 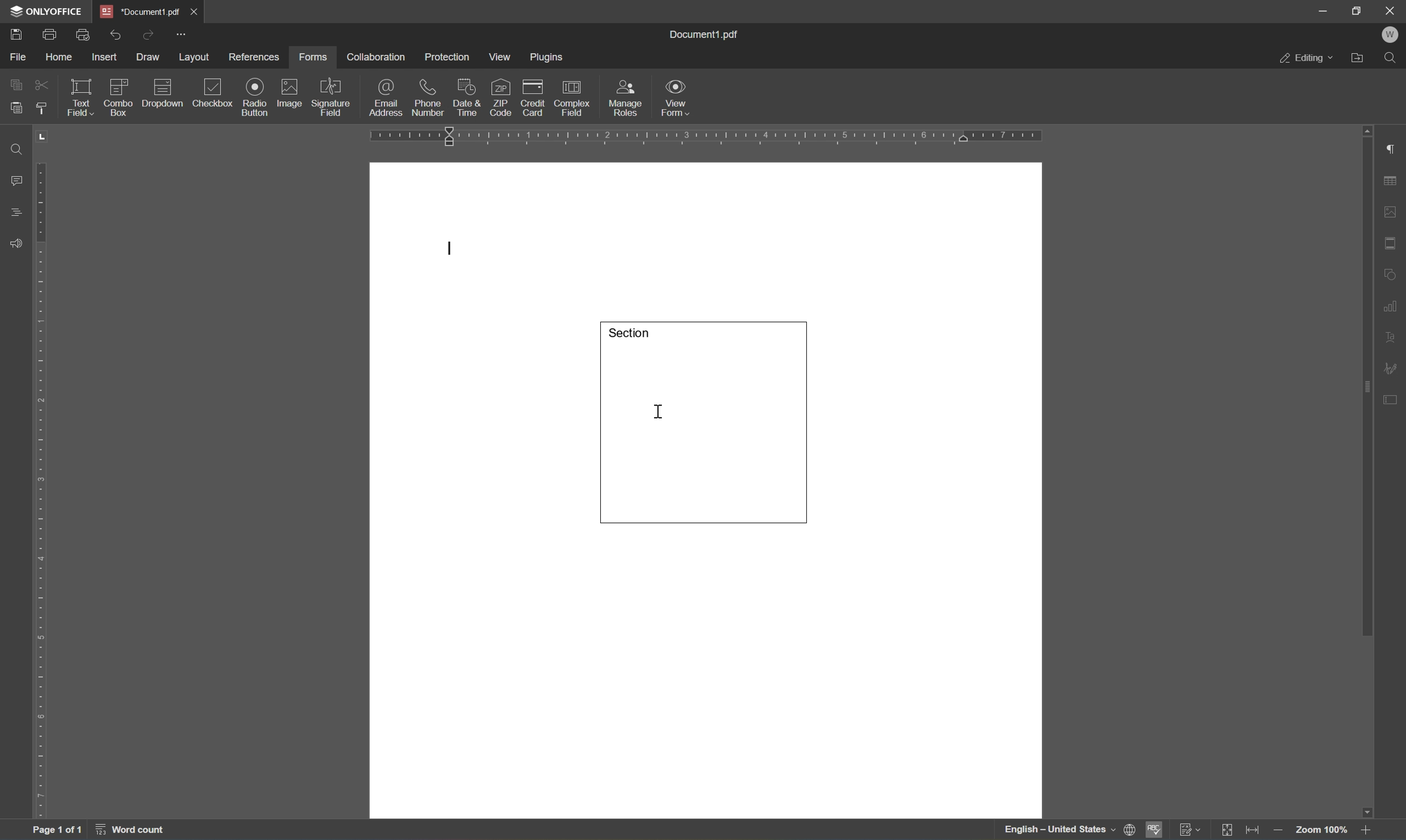 What do you see at coordinates (41, 108) in the screenshot?
I see `copy style` at bounding box center [41, 108].